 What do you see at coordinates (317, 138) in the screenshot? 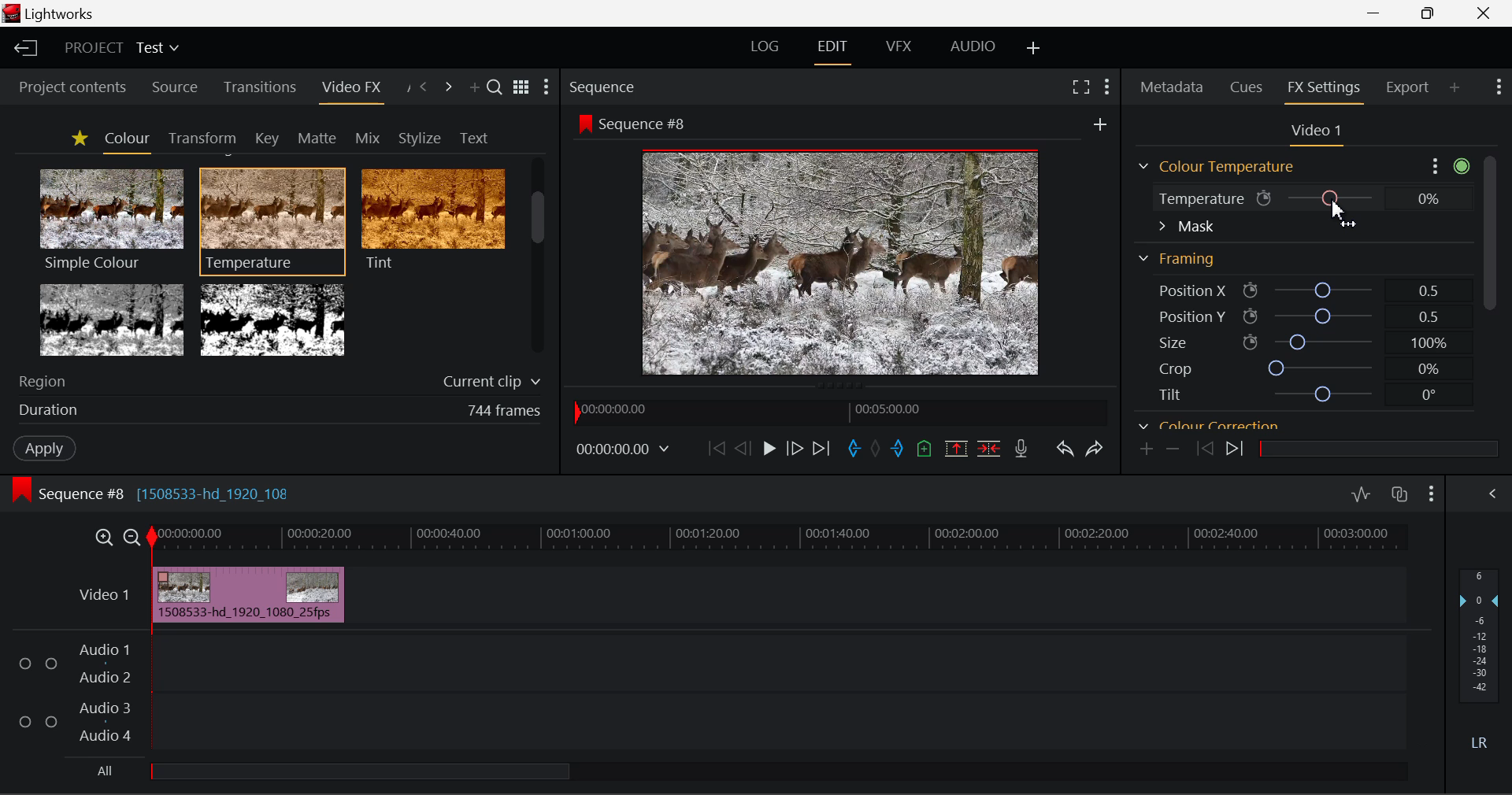
I see `Matte` at bounding box center [317, 138].